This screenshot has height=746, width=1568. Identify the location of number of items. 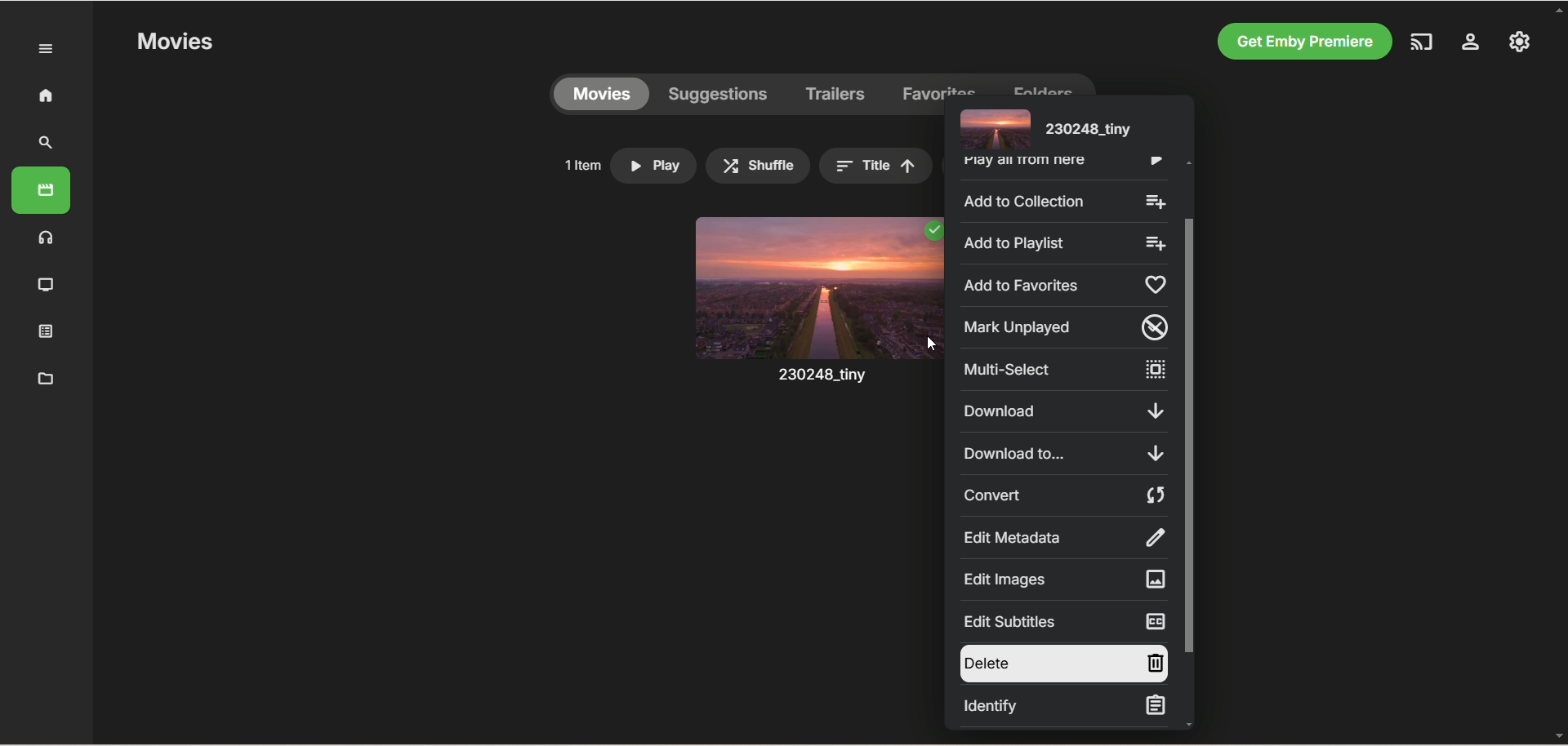
(581, 165).